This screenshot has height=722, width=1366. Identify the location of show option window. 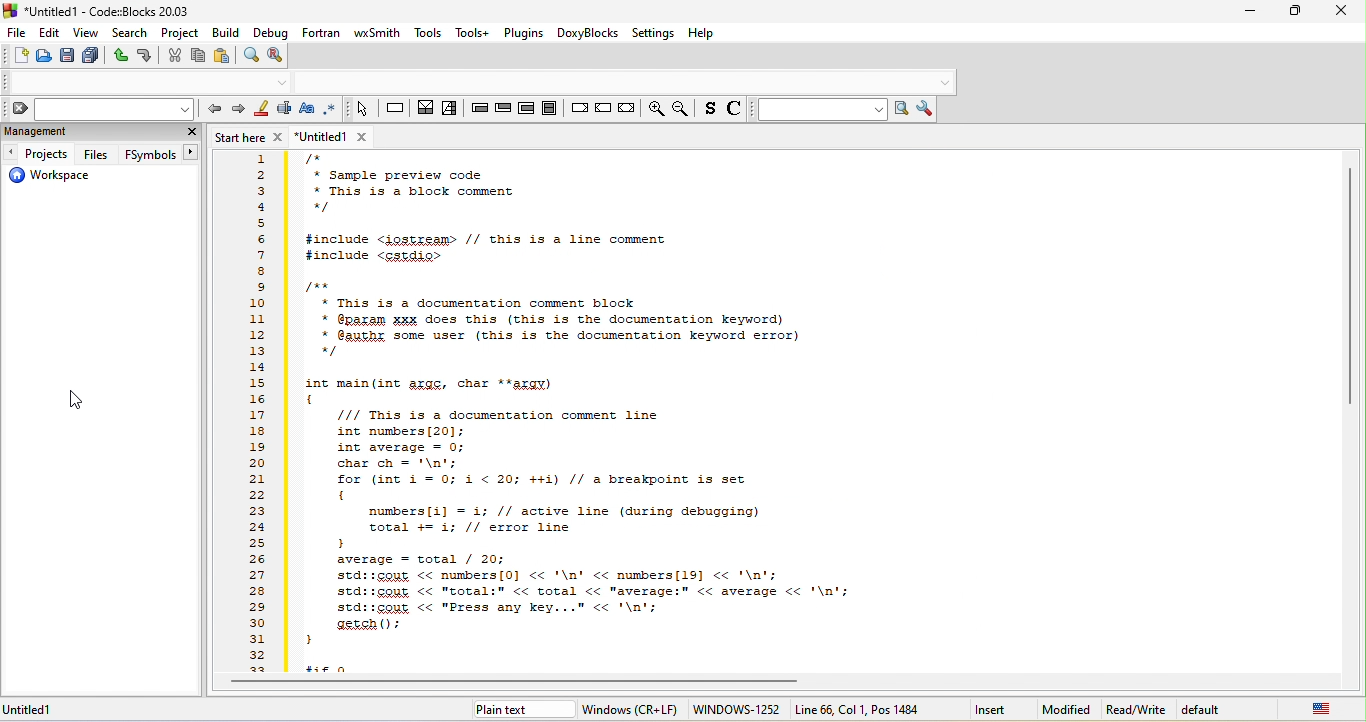
(928, 109).